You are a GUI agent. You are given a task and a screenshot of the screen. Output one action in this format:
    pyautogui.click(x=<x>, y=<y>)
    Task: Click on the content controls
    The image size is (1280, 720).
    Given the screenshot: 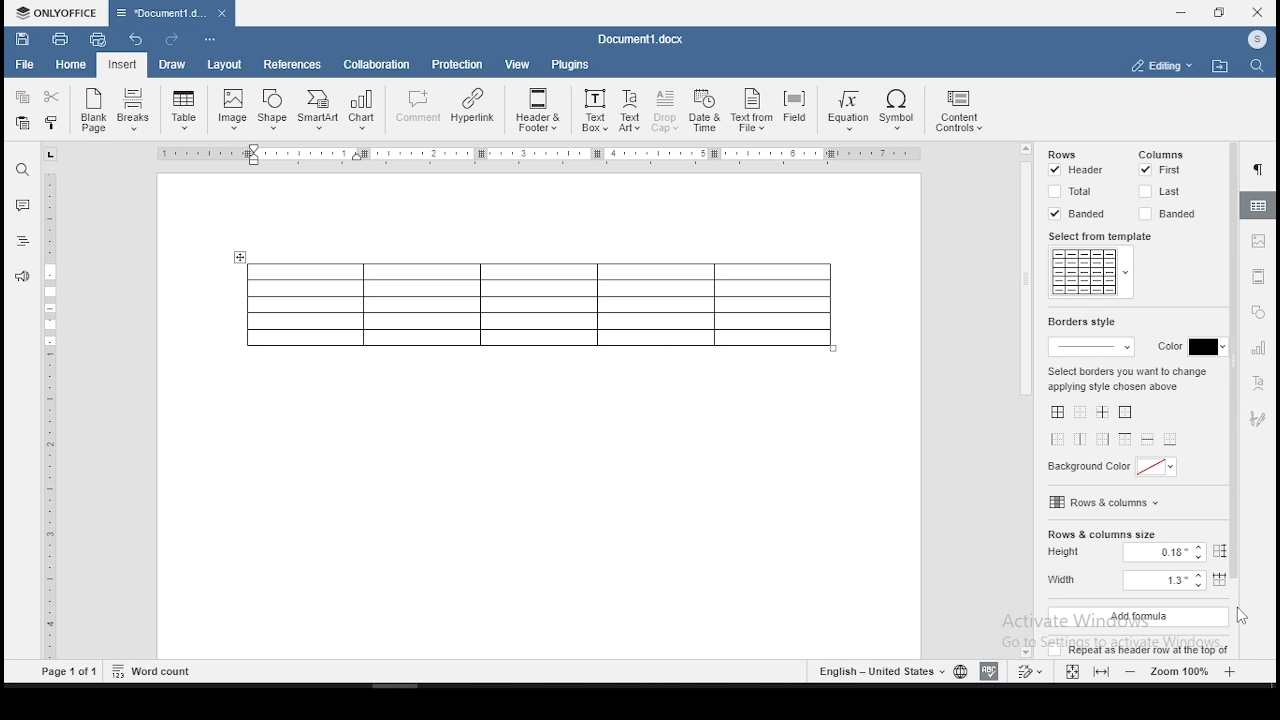 What is the action you would take?
    pyautogui.click(x=963, y=113)
    